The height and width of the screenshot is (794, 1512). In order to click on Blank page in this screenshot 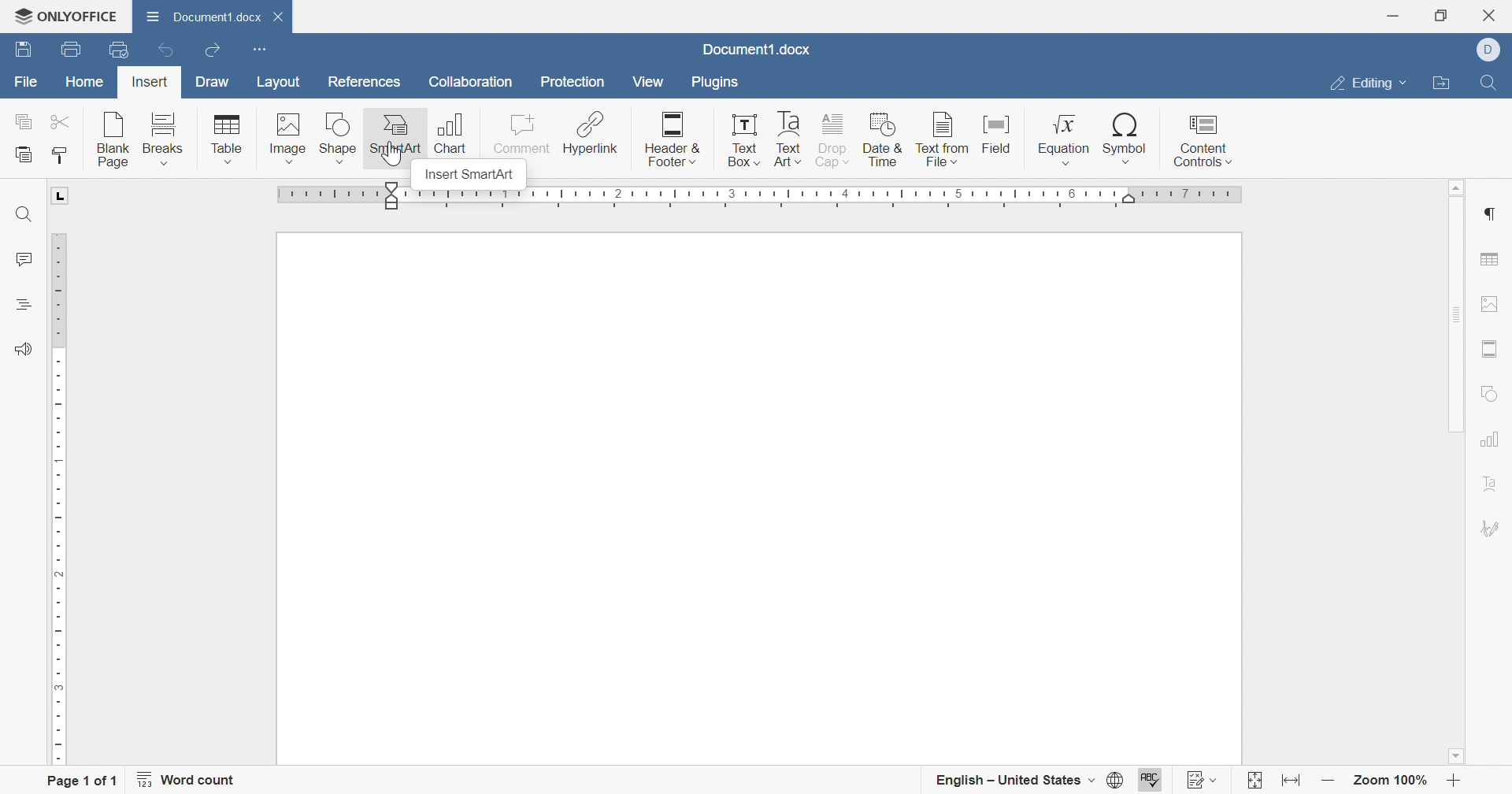, I will do `click(116, 139)`.